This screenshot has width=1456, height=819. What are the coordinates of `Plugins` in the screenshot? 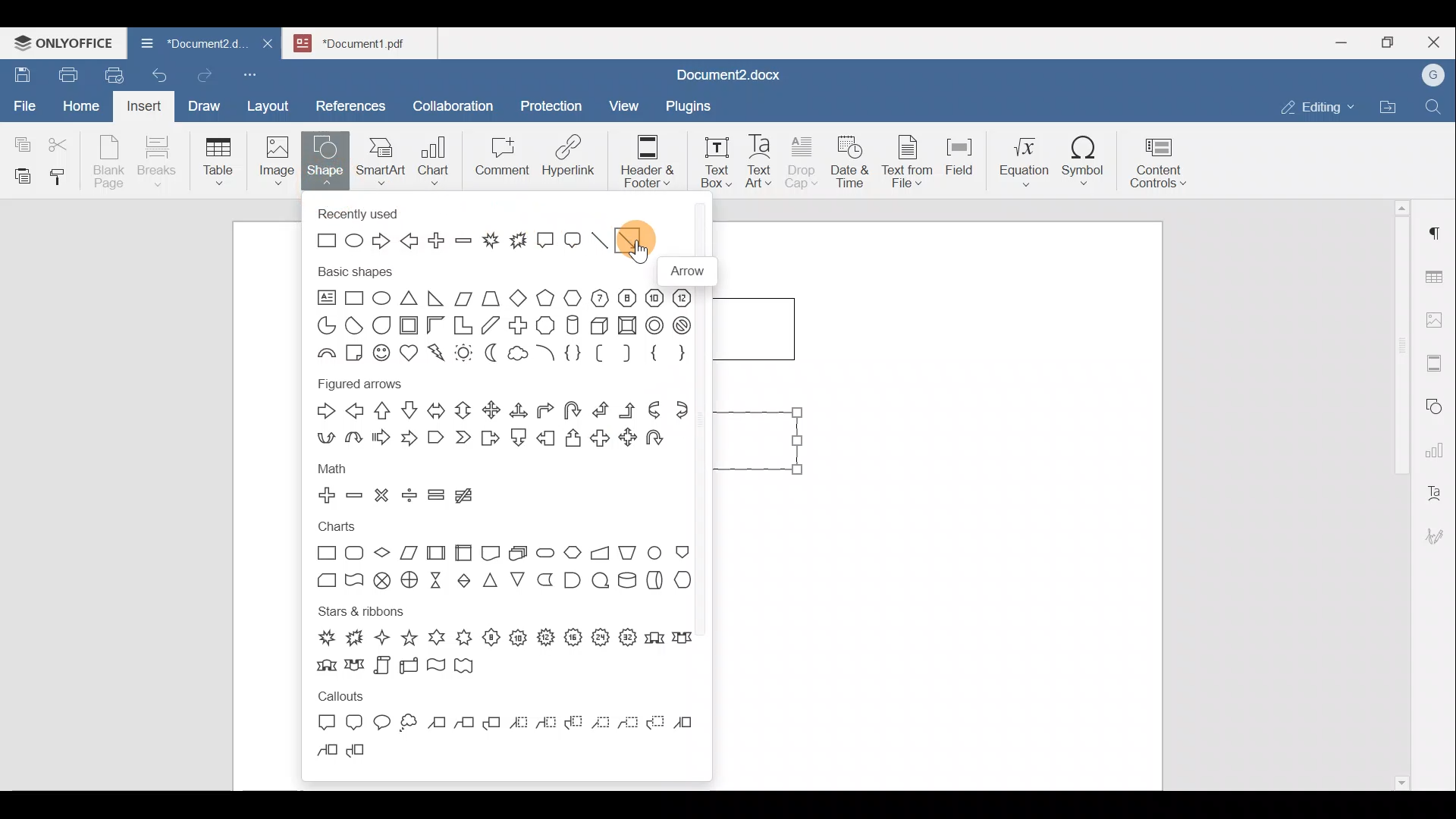 It's located at (693, 104).